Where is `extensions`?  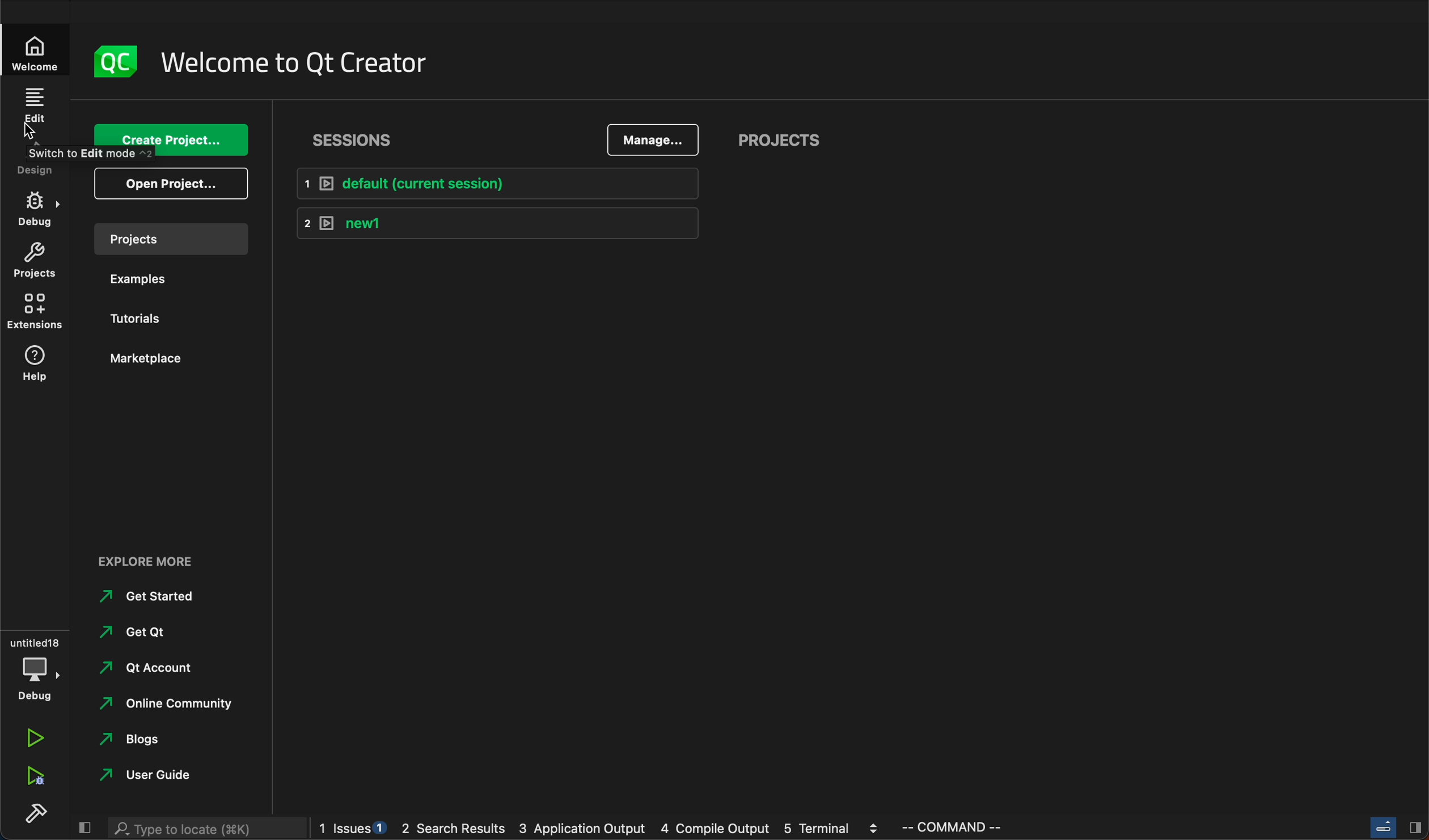 extensions is located at coordinates (36, 315).